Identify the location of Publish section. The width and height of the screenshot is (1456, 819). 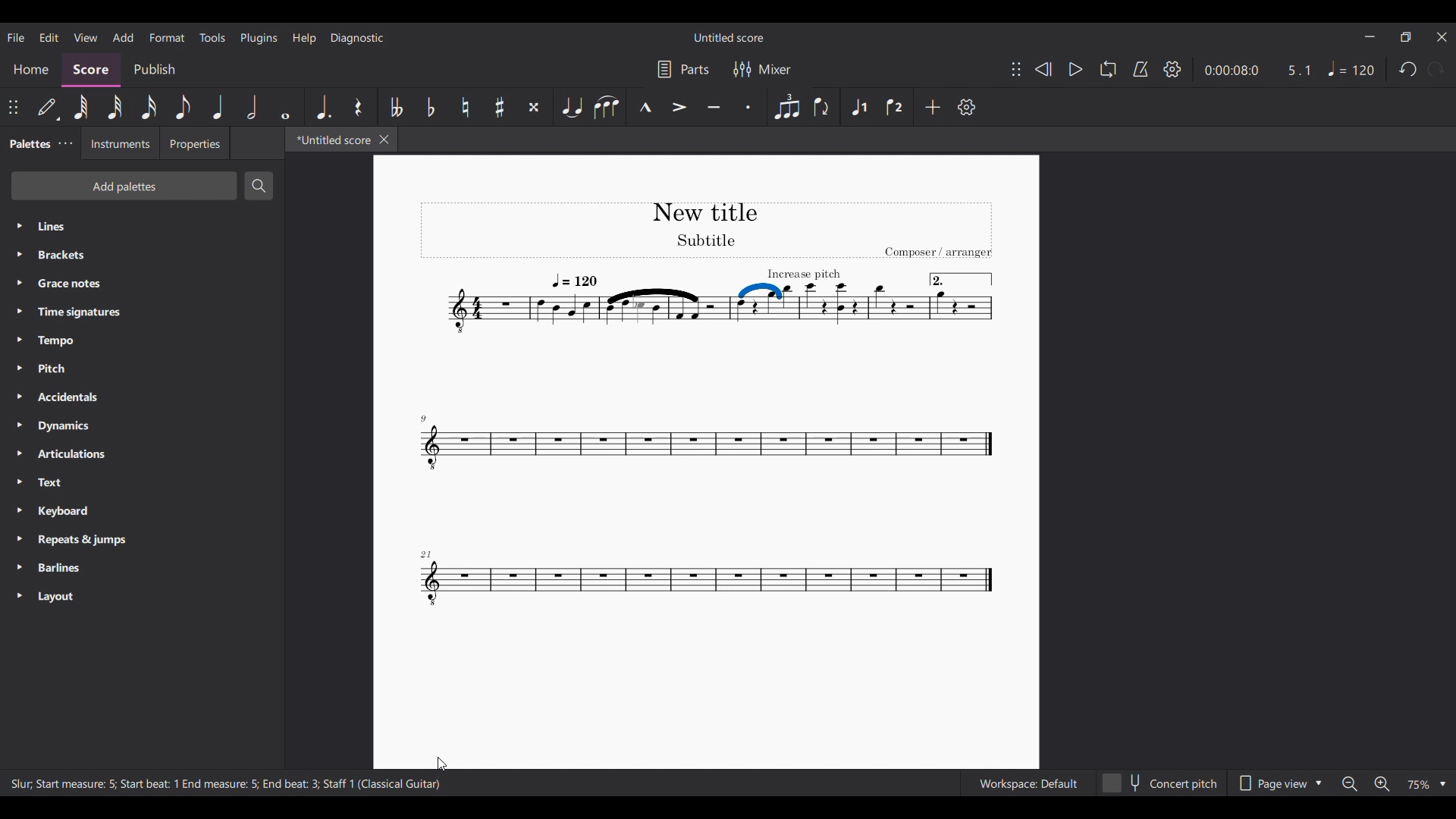
(154, 71).